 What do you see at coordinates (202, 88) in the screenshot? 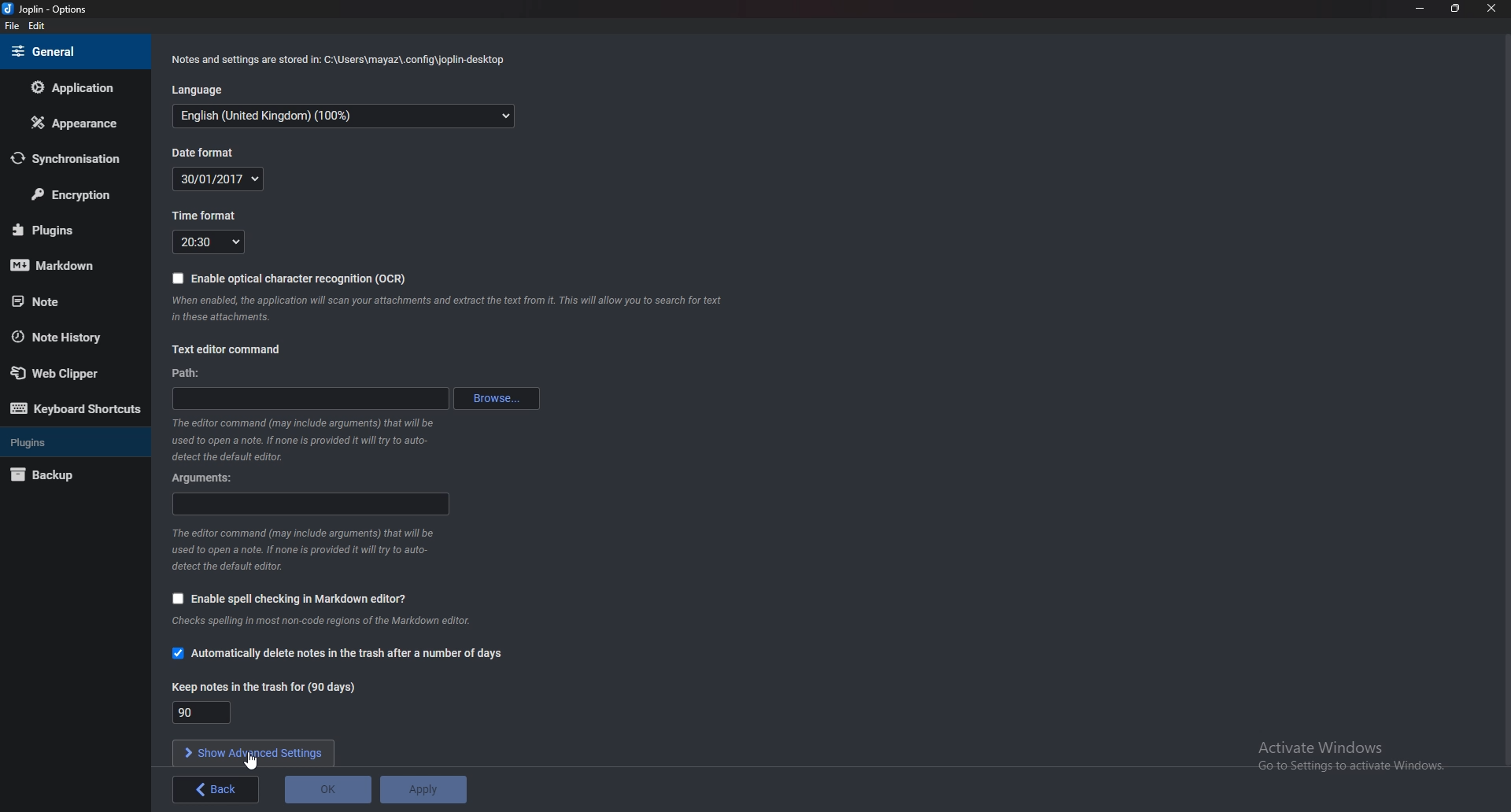
I see `Language` at bounding box center [202, 88].